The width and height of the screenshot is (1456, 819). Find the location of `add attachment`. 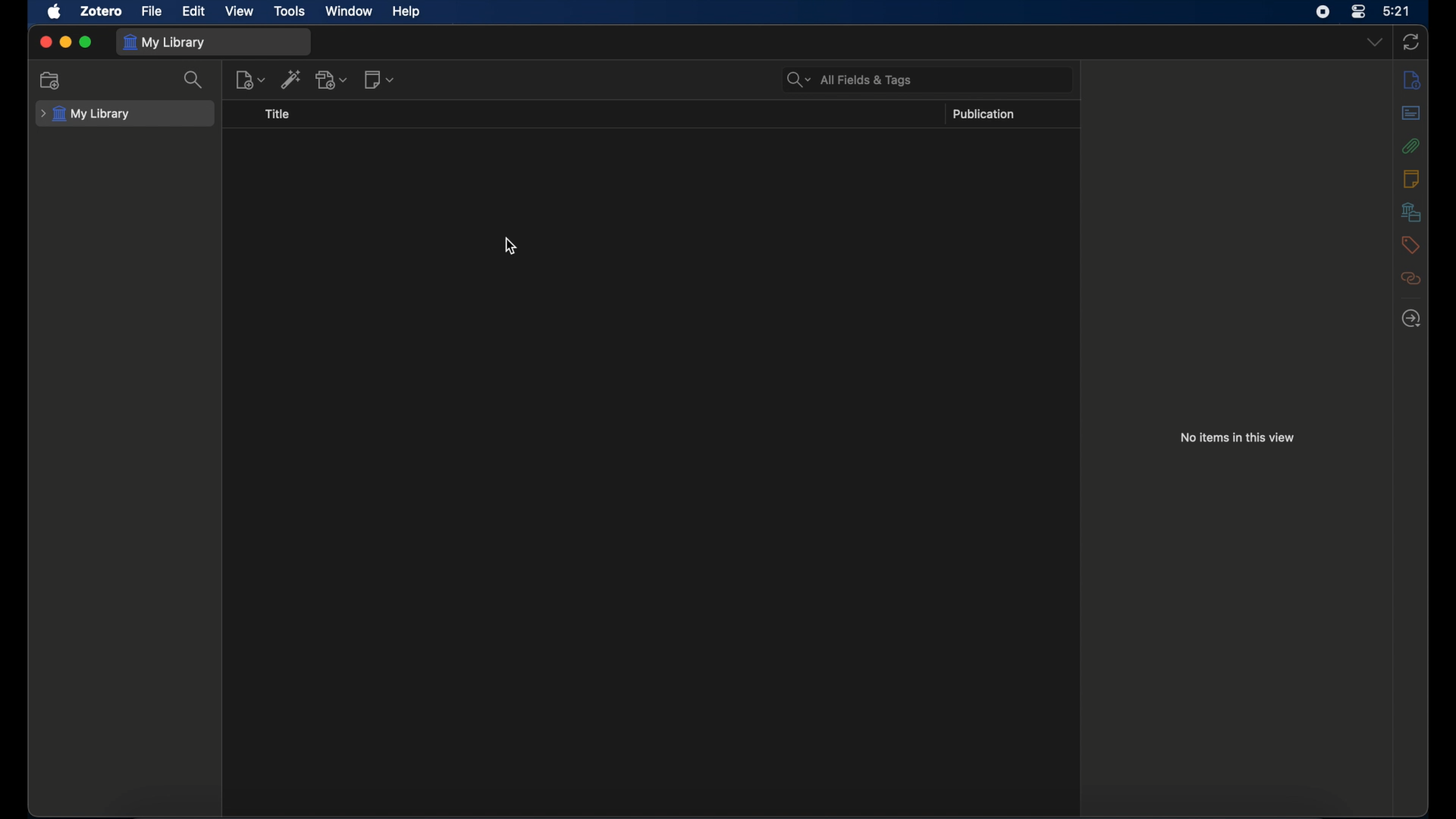

add attachment is located at coordinates (333, 80).